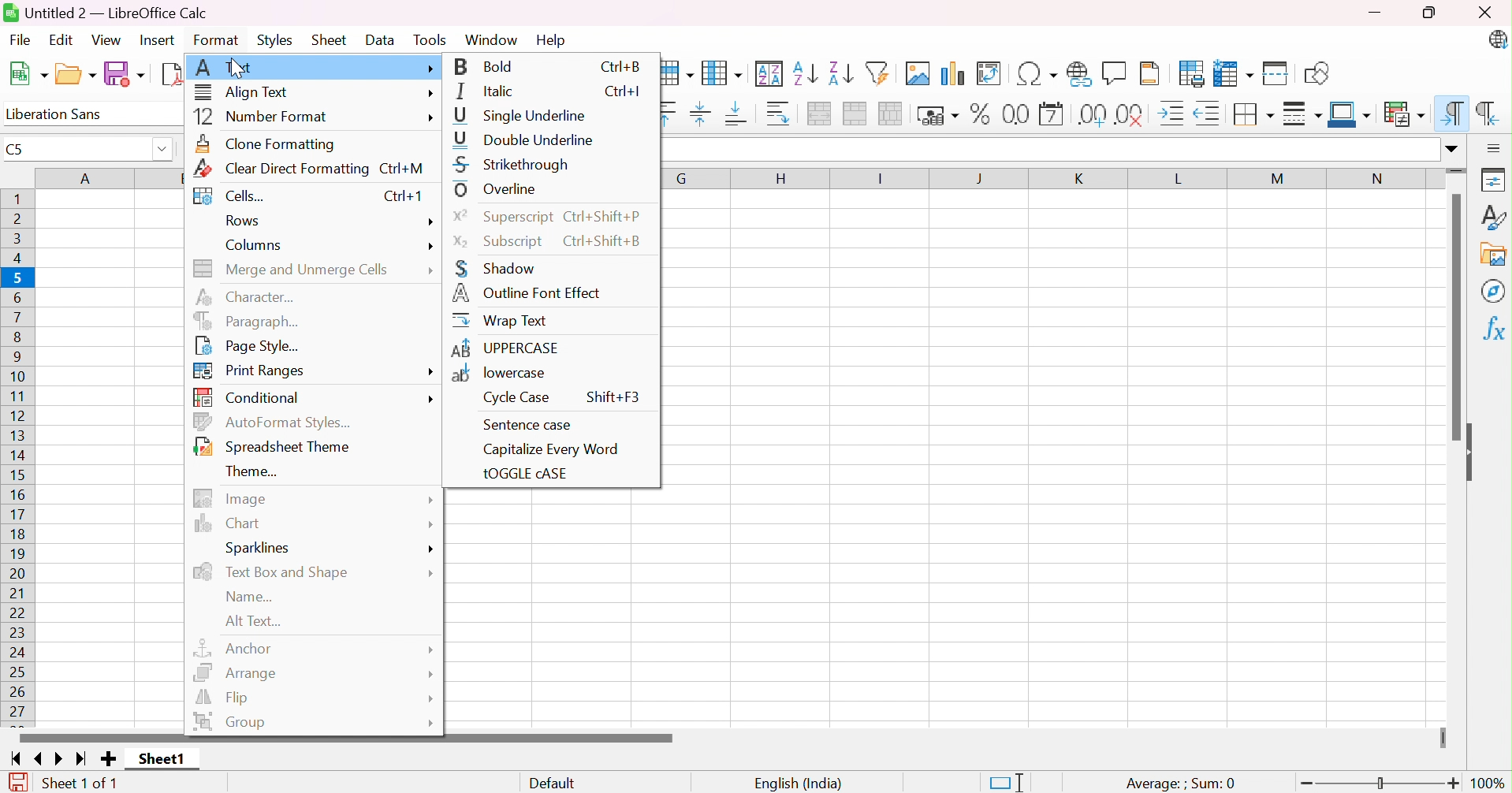 The height and width of the screenshot is (793, 1512). What do you see at coordinates (1443, 735) in the screenshot?
I see `Slider` at bounding box center [1443, 735].